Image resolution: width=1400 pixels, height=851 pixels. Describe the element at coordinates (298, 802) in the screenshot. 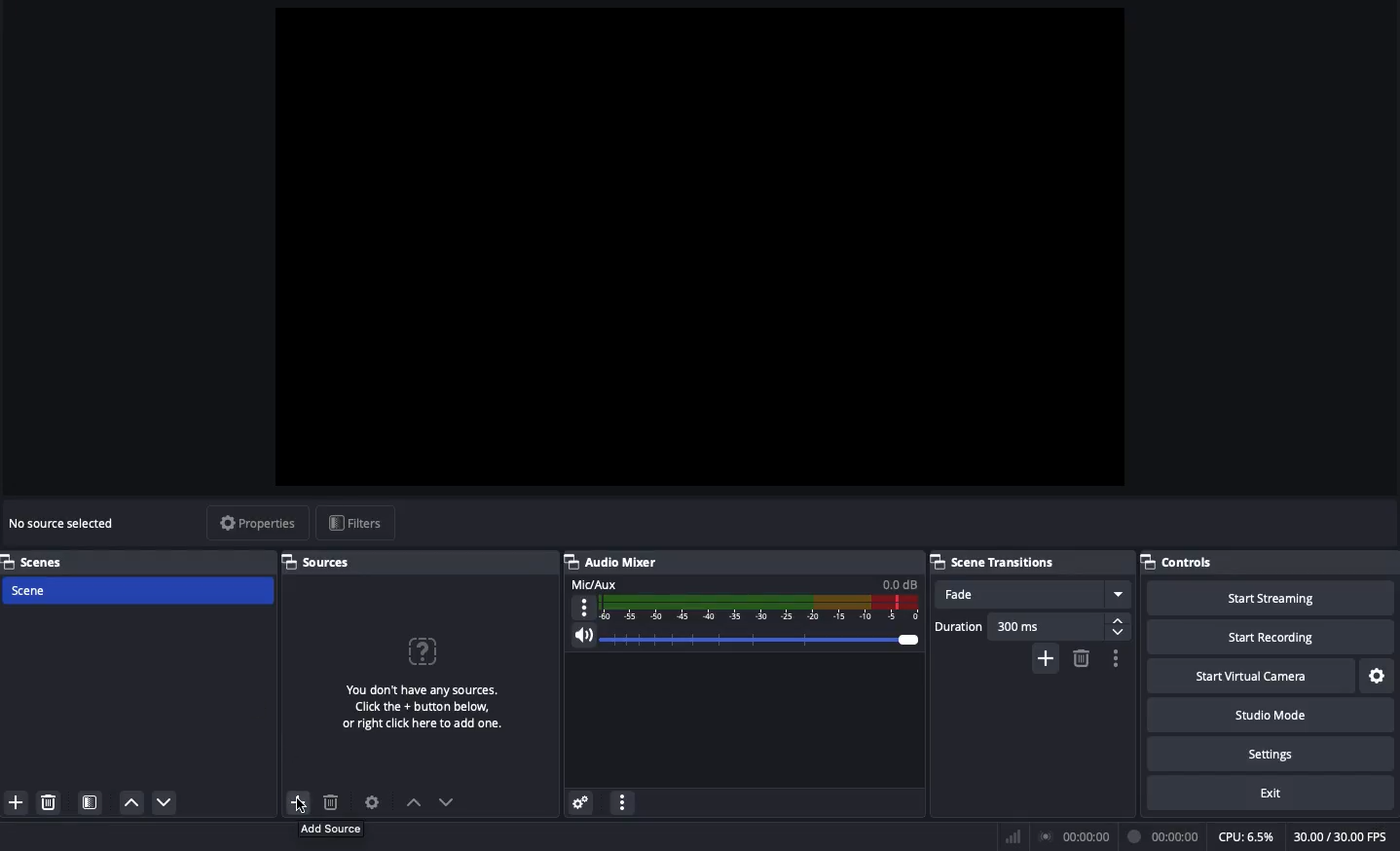

I see `add` at that location.